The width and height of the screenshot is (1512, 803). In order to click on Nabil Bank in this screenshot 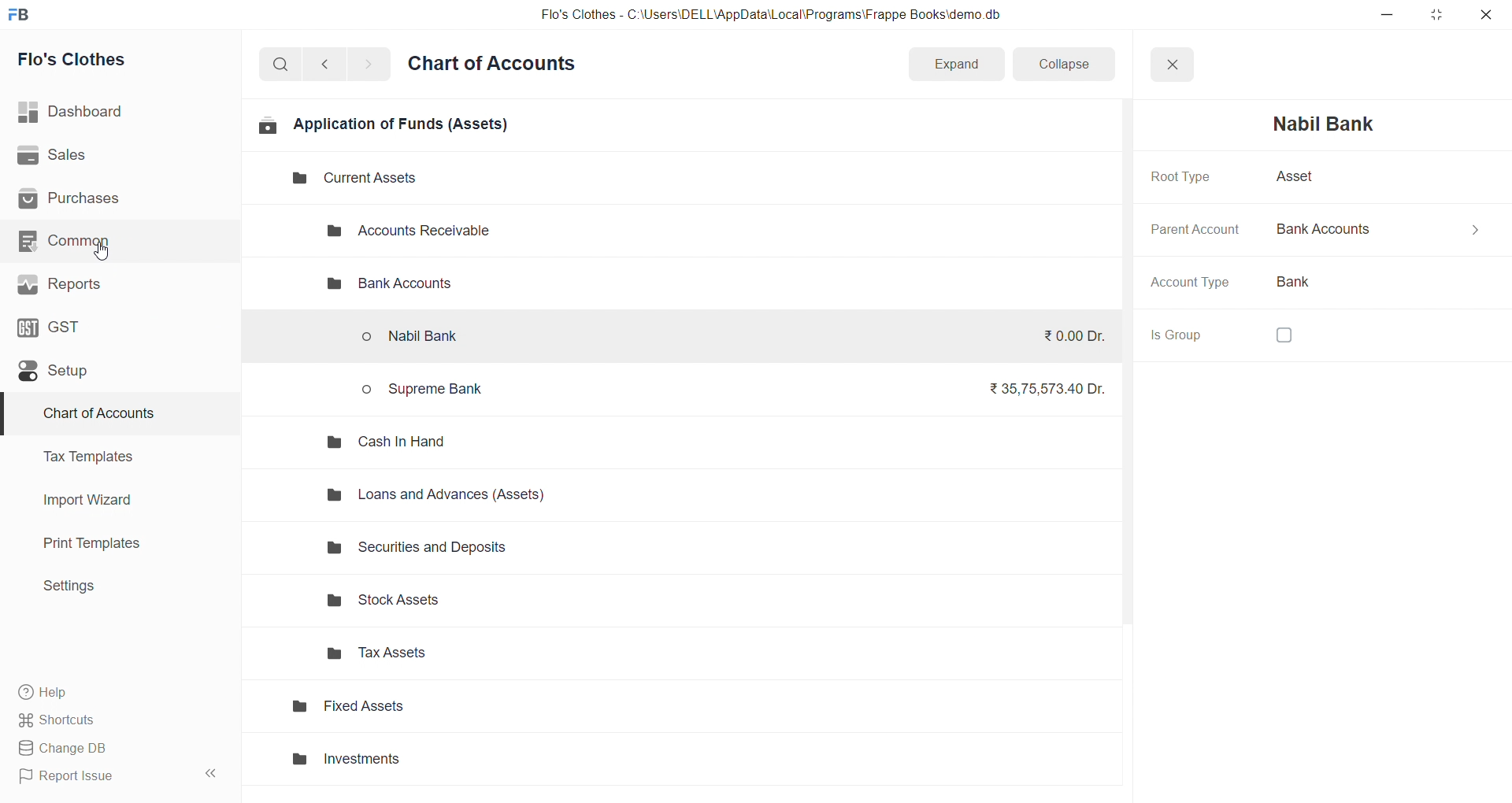, I will do `click(1332, 124)`.